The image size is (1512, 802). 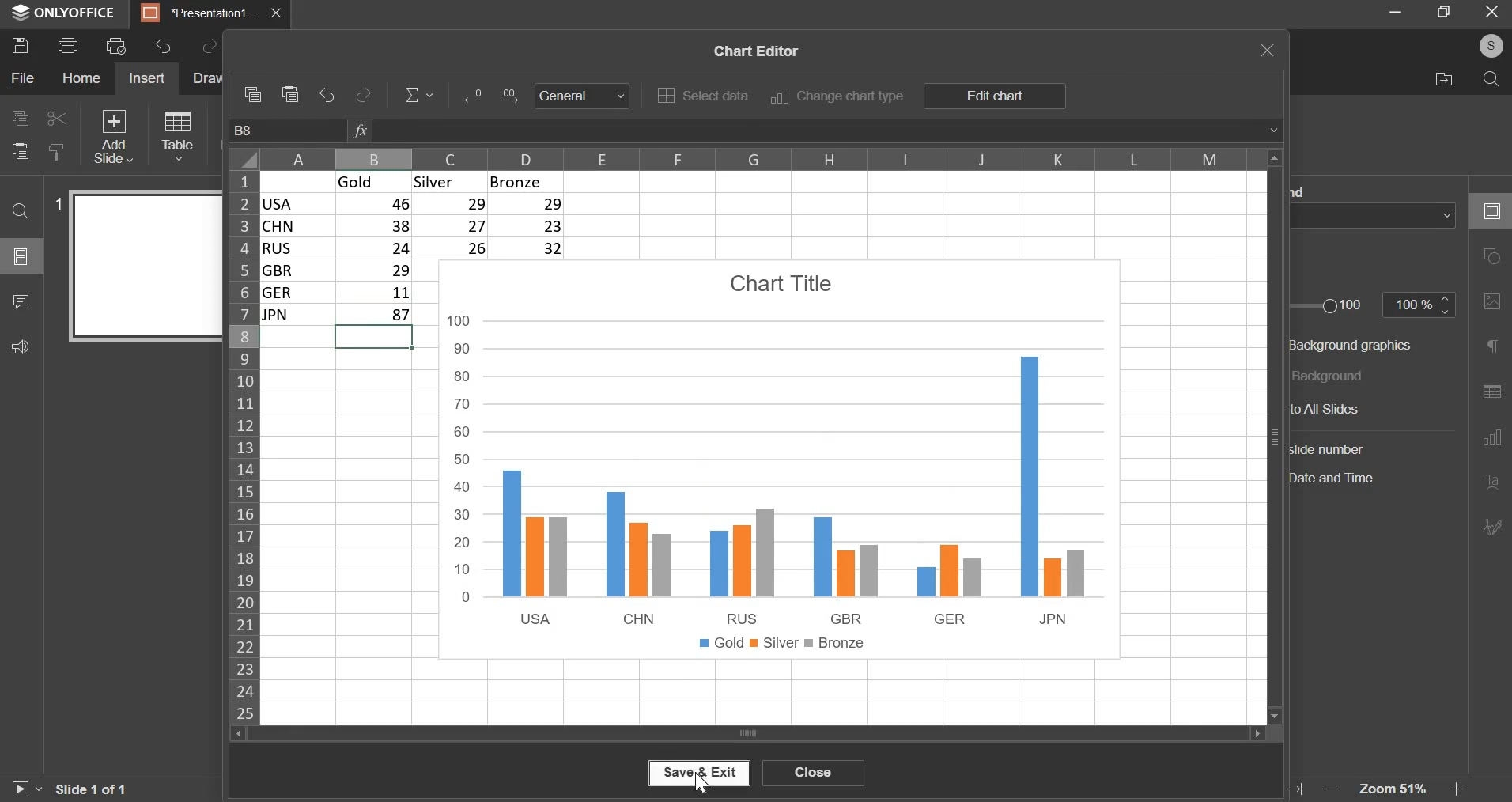 What do you see at coordinates (1489, 394) in the screenshot?
I see `table settings` at bounding box center [1489, 394].